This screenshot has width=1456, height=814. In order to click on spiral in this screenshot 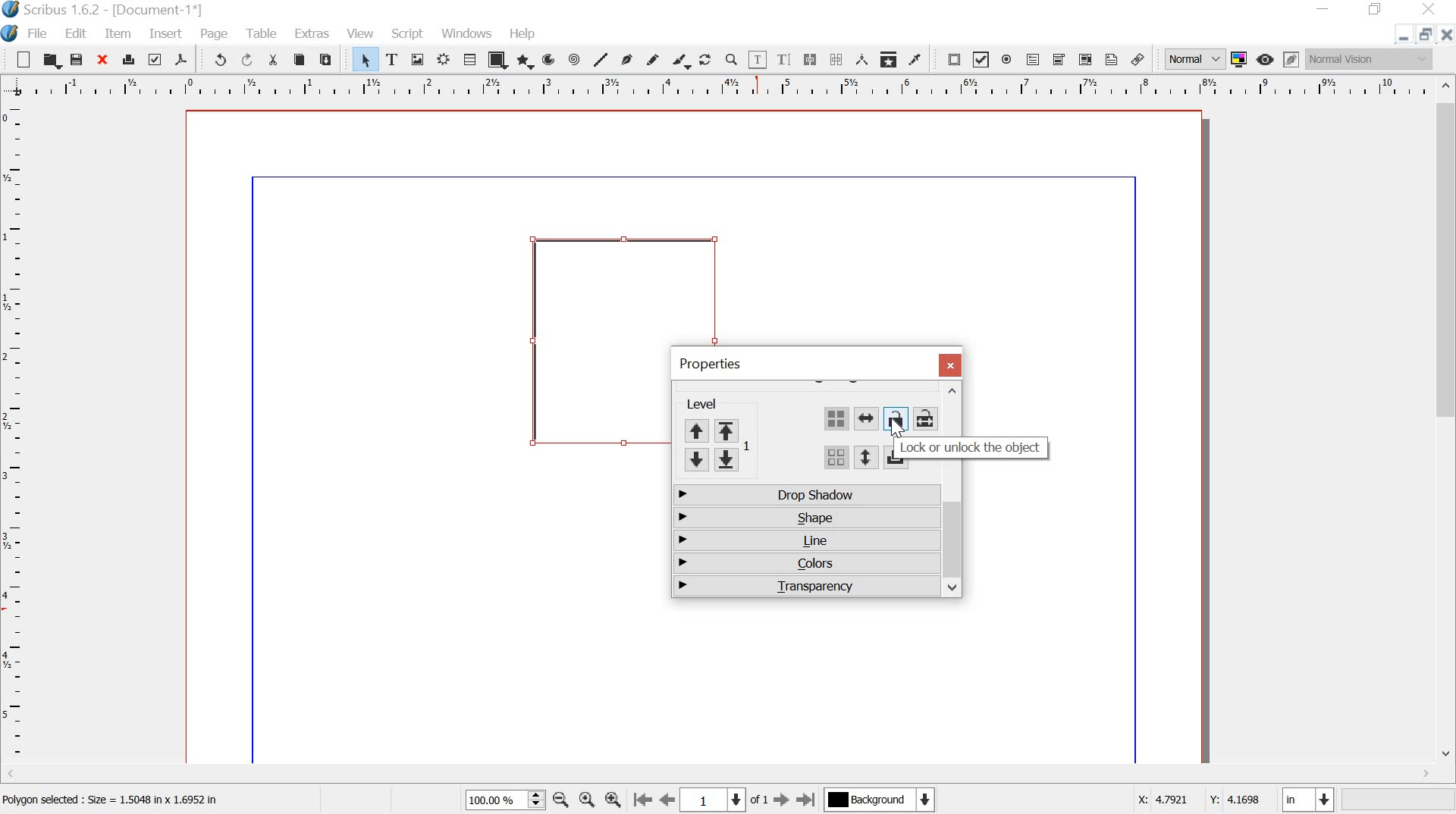, I will do `click(577, 59)`.